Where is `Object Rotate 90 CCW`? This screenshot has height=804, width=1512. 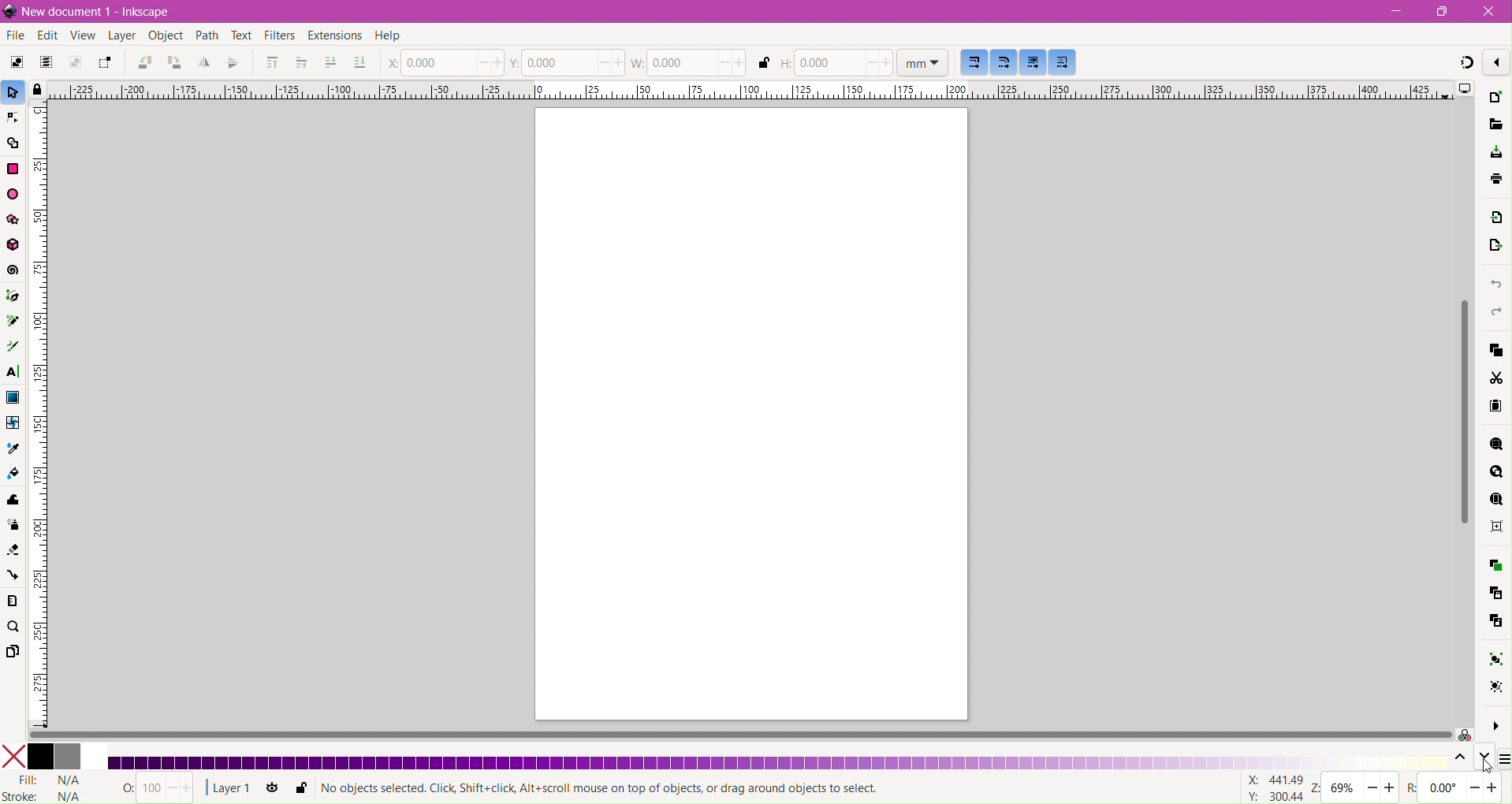
Object Rotate 90 CCW is located at coordinates (142, 64).